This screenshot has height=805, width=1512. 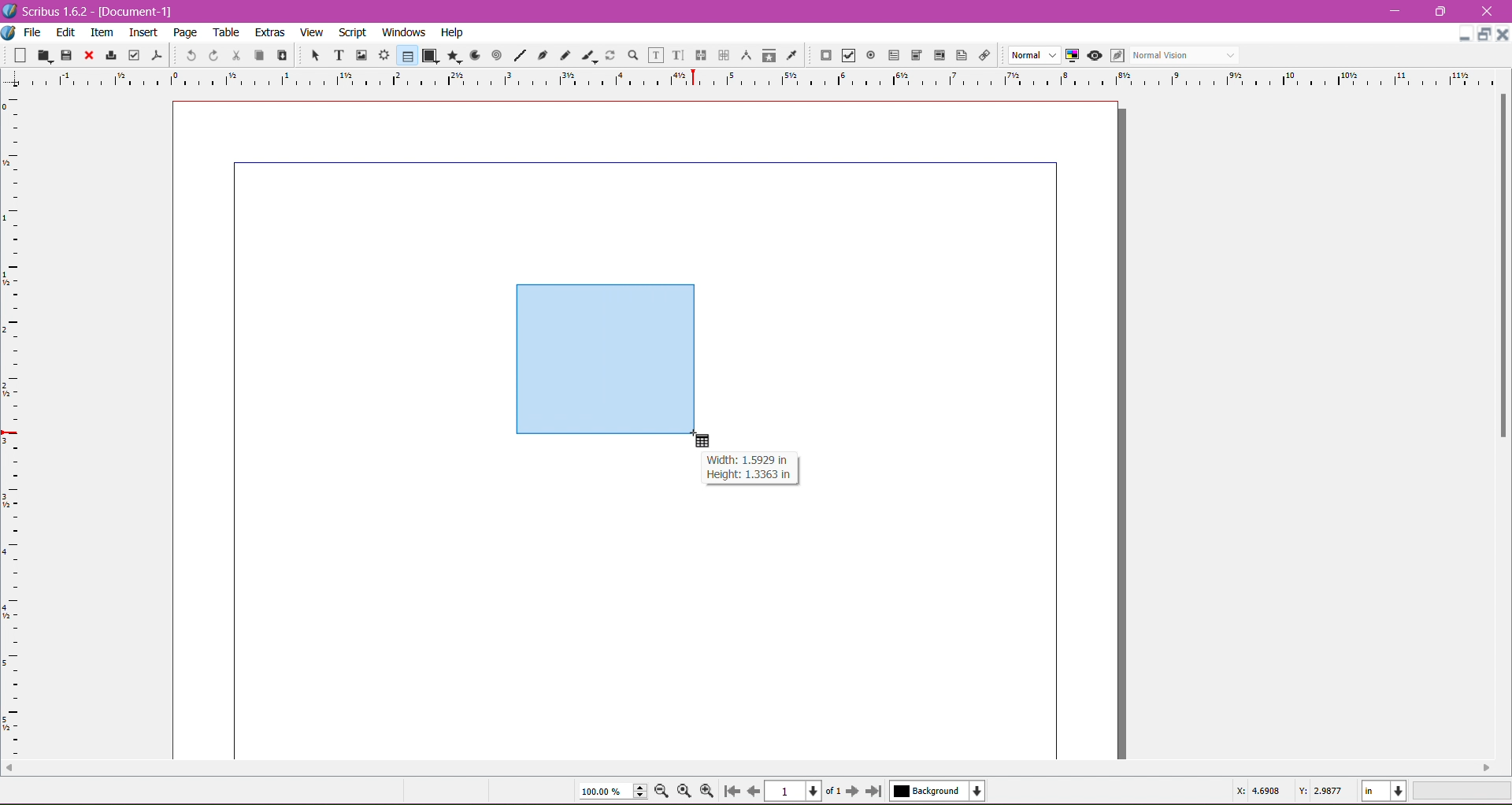 I want to click on Edit, so click(x=67, y=32).